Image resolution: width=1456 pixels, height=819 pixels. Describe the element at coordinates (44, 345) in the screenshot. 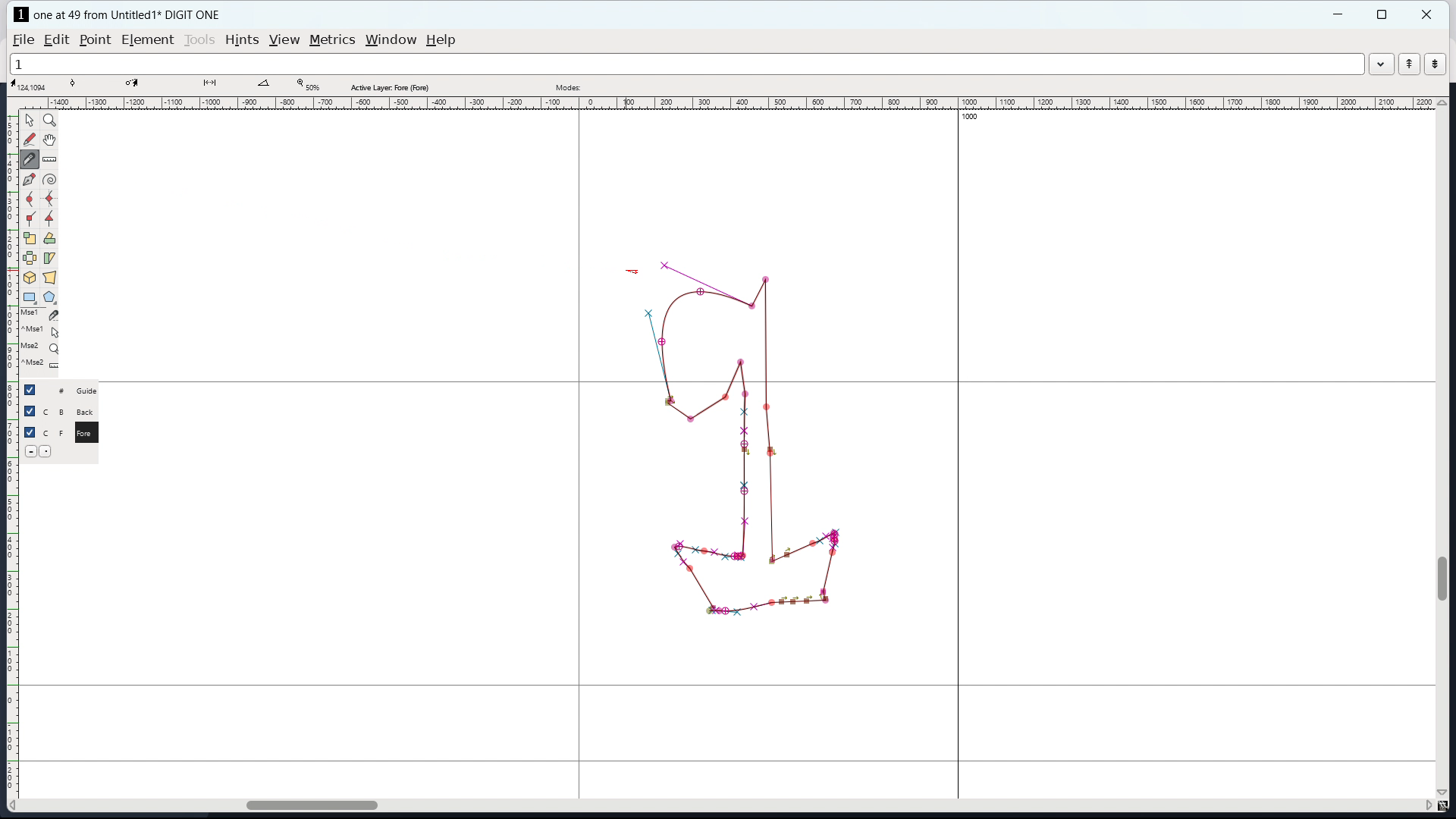

I see `mse2` at that location.